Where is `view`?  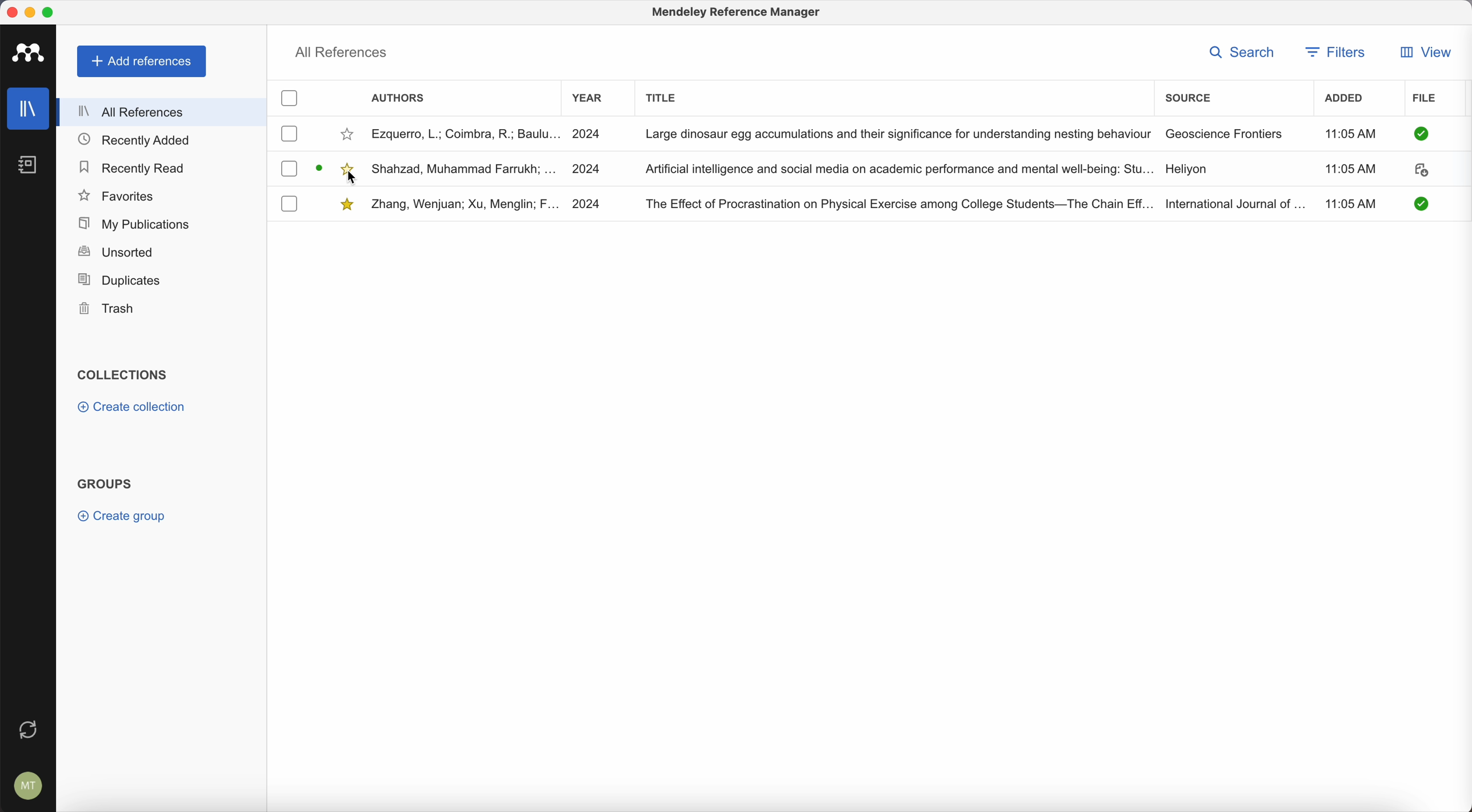 view is located at coordinates (1424, 52).